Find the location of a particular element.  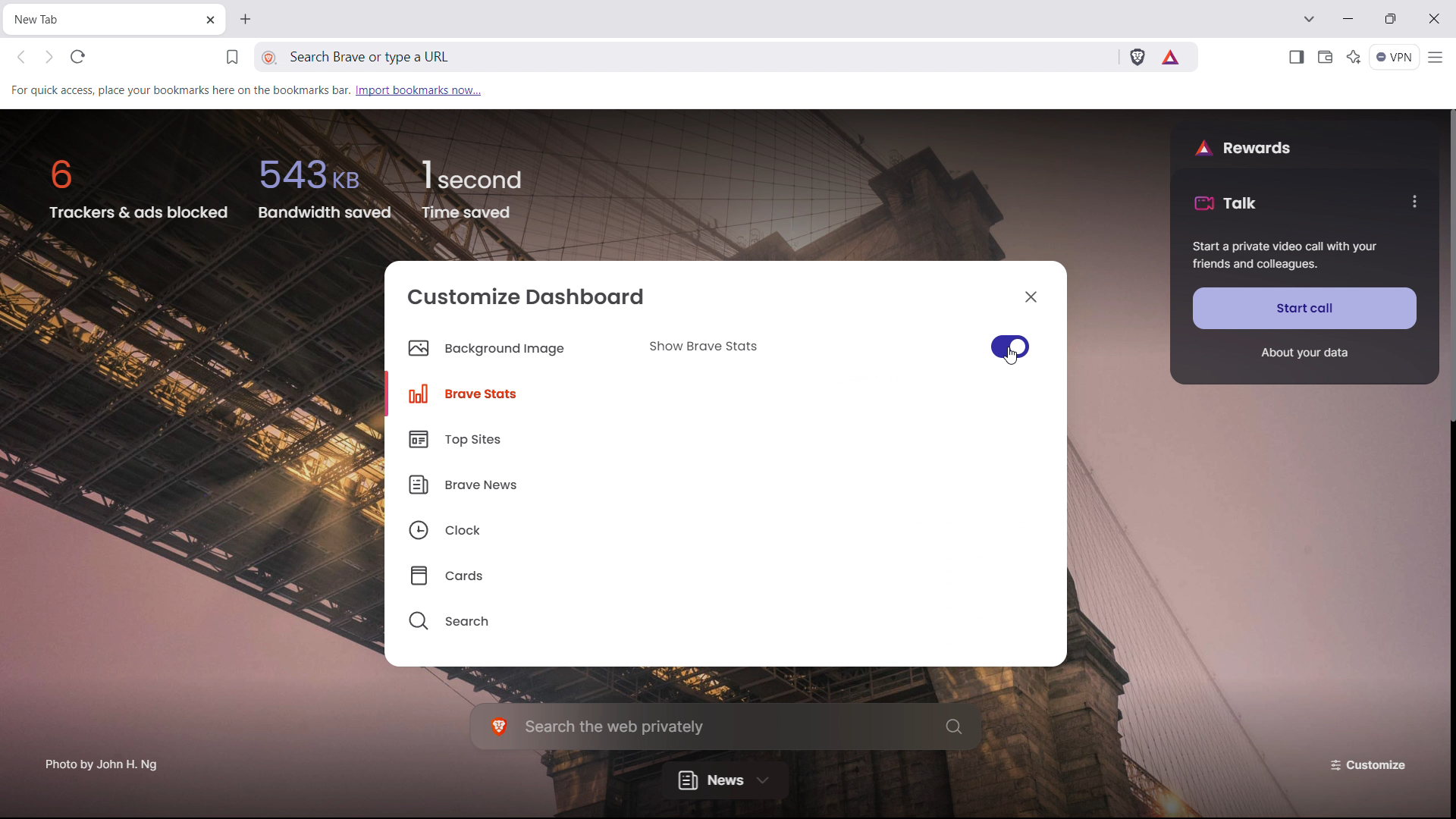

top sites is located at coordinates (507, 439).